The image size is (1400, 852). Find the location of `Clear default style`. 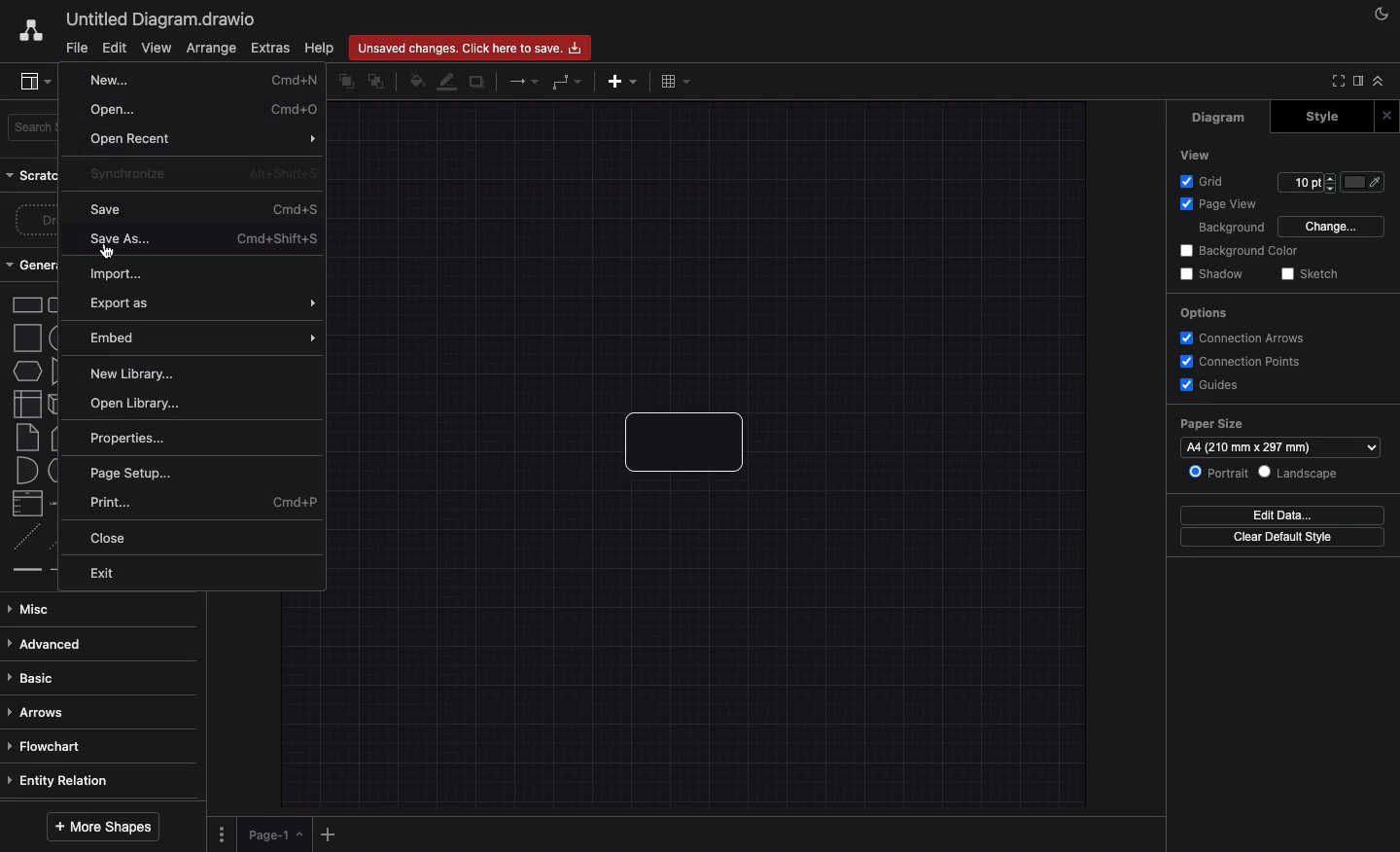

Clear default style is located at coordinates (1285, 538).